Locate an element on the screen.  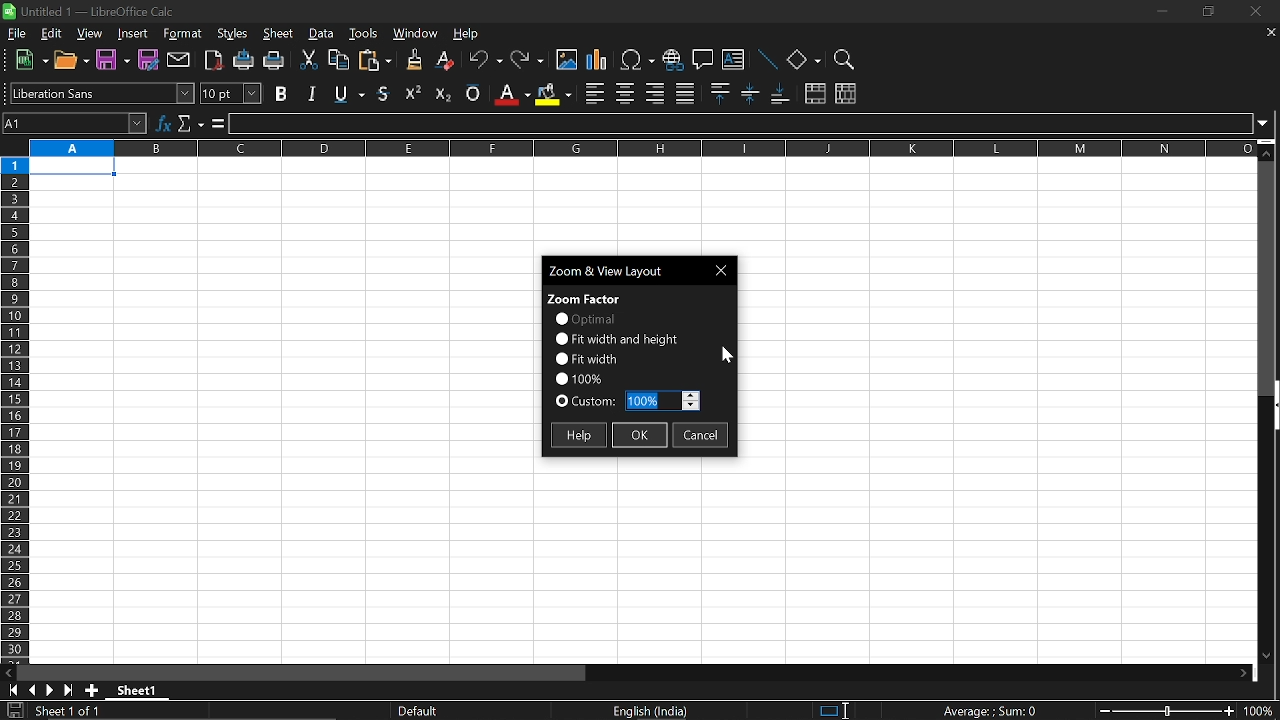
current formula is located at coordinates (990, 711).